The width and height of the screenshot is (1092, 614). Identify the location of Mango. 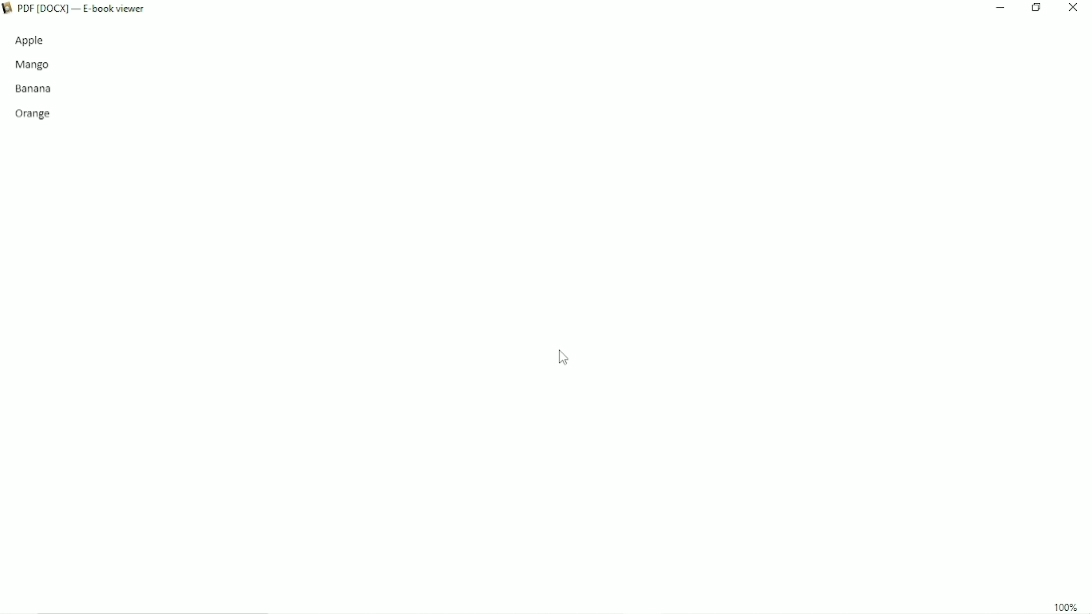
(35, 65).